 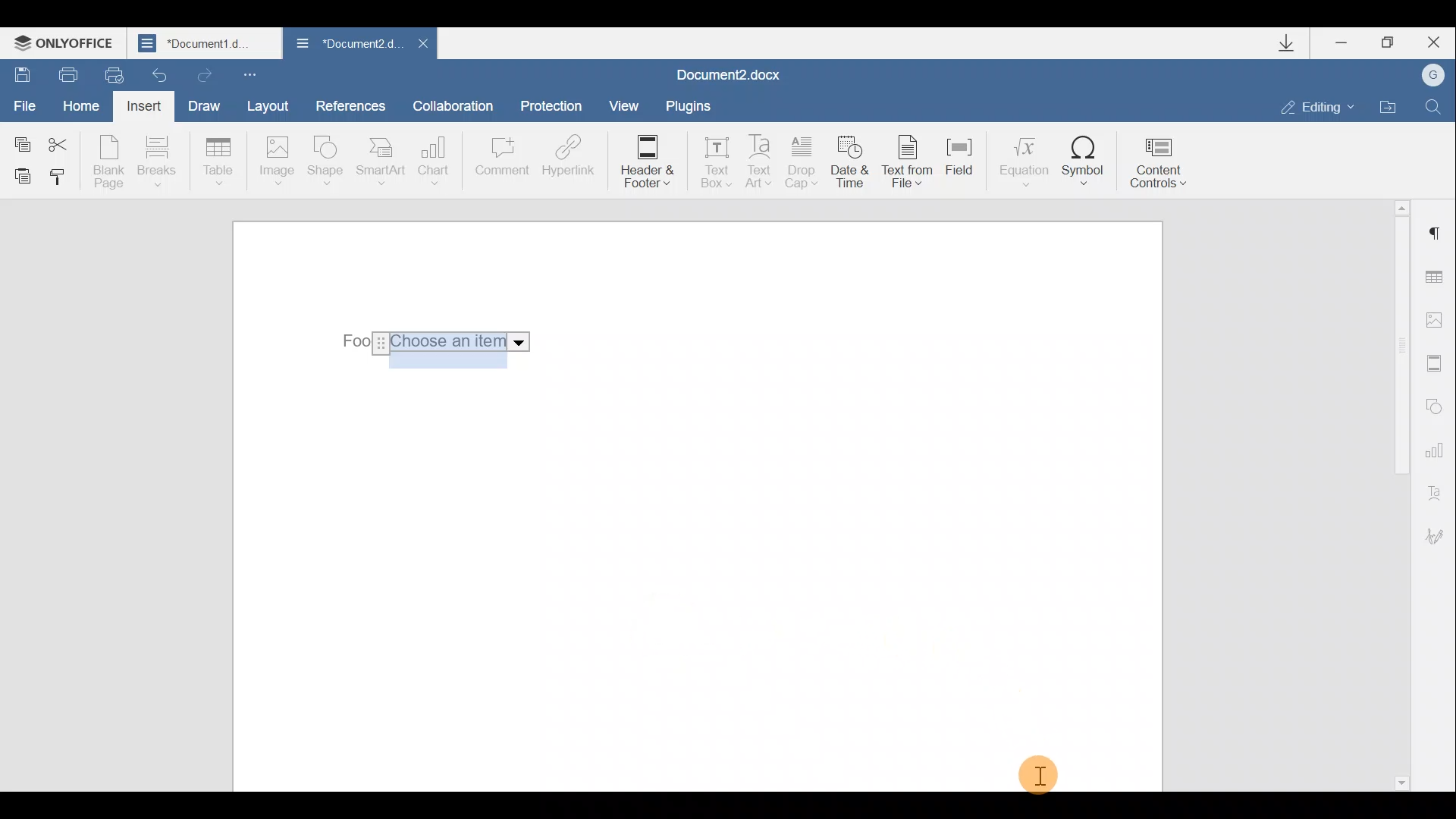 What do you see at coordinates (1397, 493) in the screenshot?
I see `Scroll bar` at bounding box center [1397, 493].